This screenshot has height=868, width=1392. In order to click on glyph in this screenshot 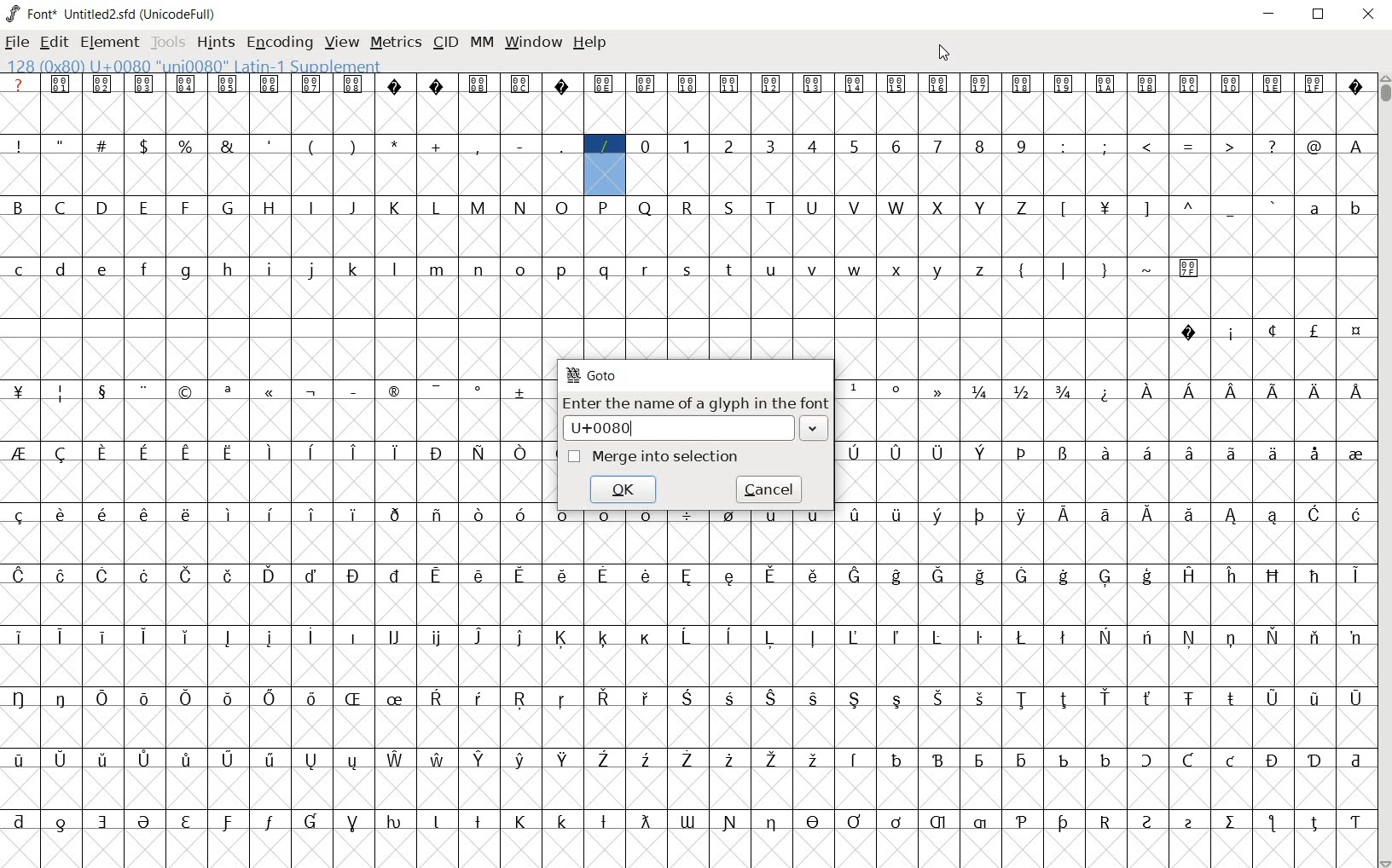, I will do `click(435, 822)`.